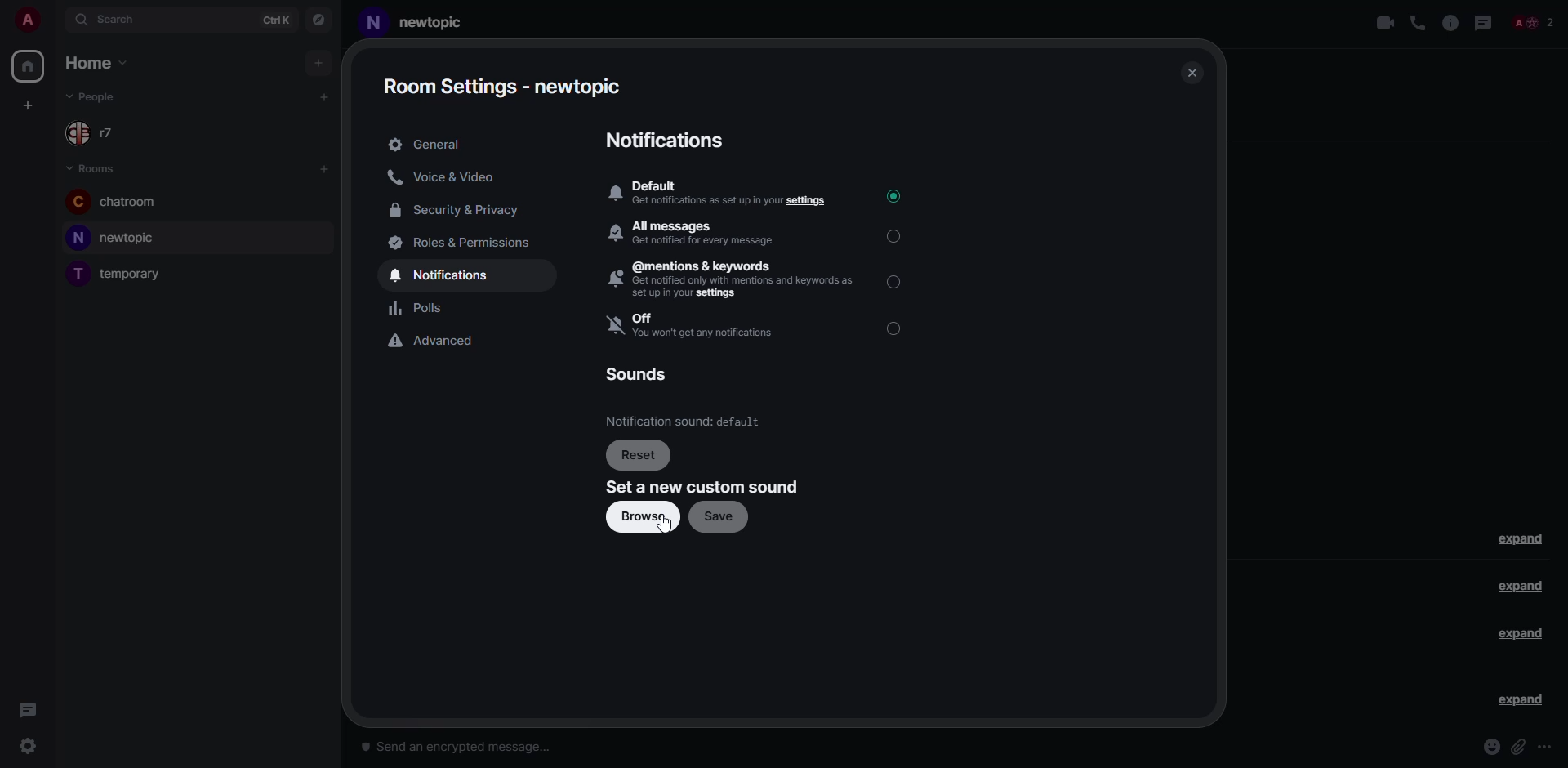 The image size is (1568, 768). Describe the element at coordinates (893, 195) in the screenshot. I see `selected` at that location.